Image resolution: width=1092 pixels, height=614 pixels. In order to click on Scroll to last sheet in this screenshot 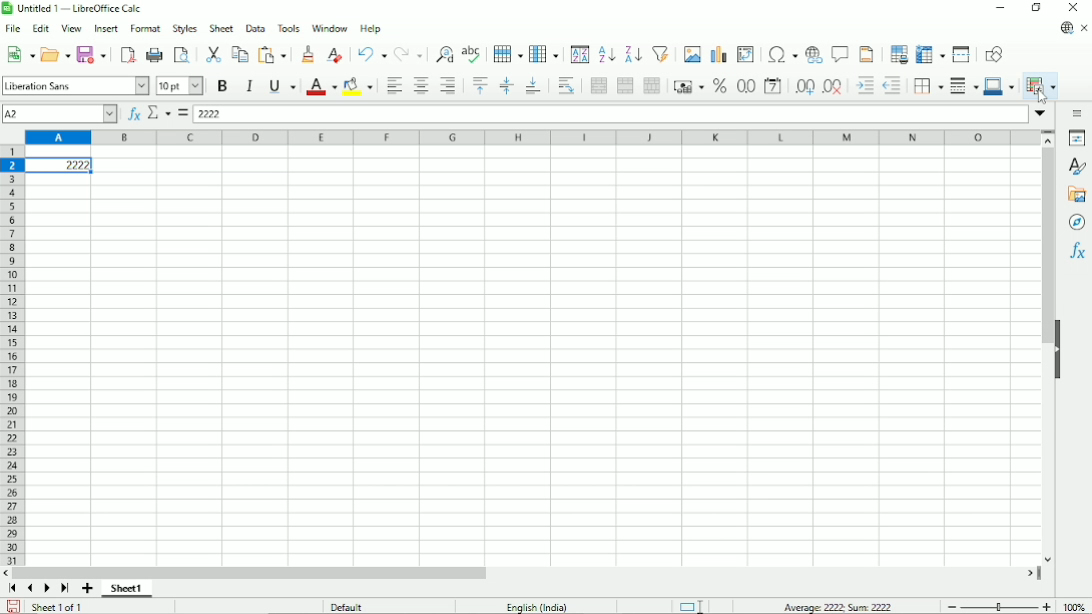, I will do `click(66, 589)`.